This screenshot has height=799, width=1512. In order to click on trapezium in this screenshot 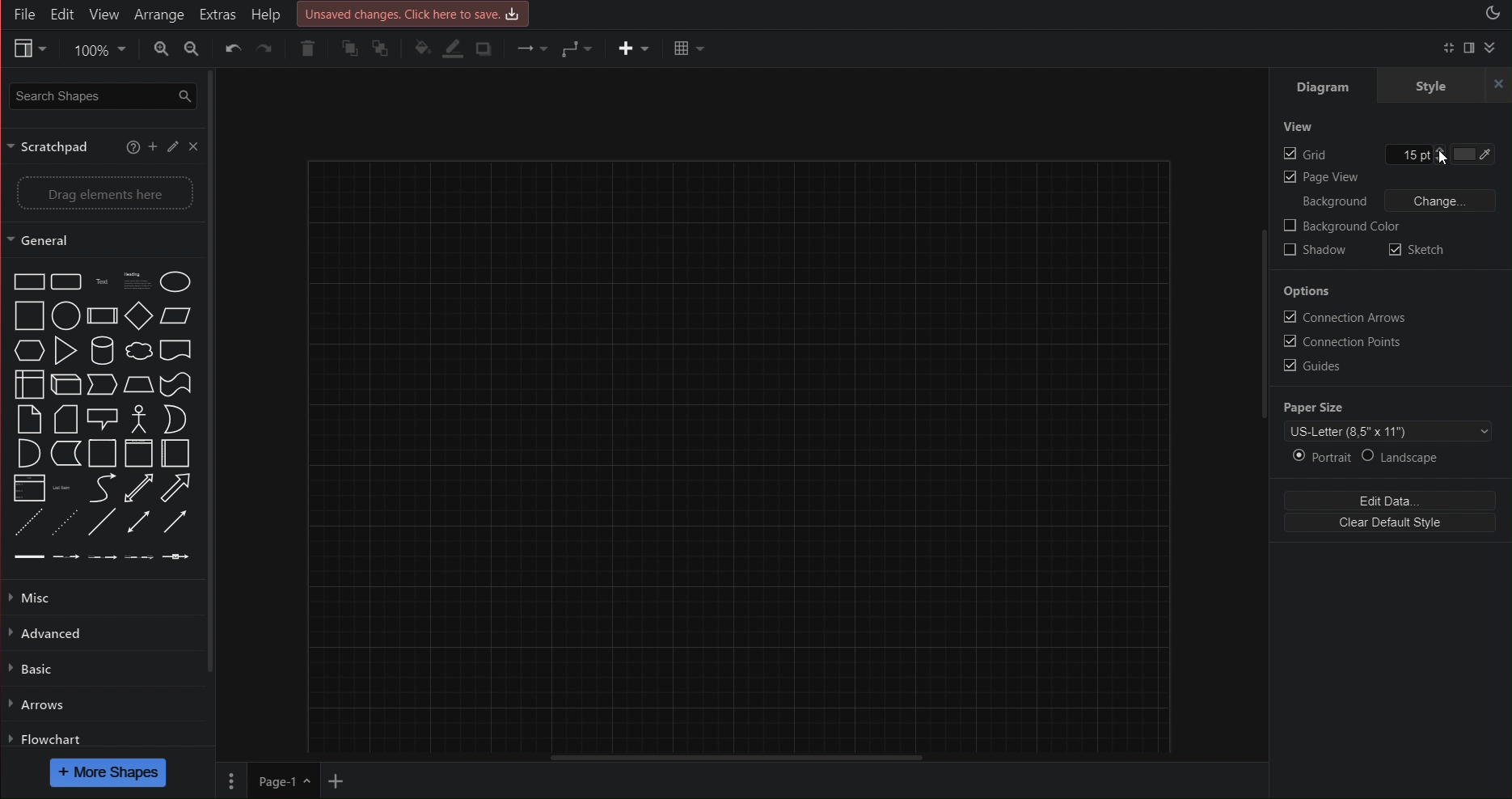, I will do `click(139, 381)`.